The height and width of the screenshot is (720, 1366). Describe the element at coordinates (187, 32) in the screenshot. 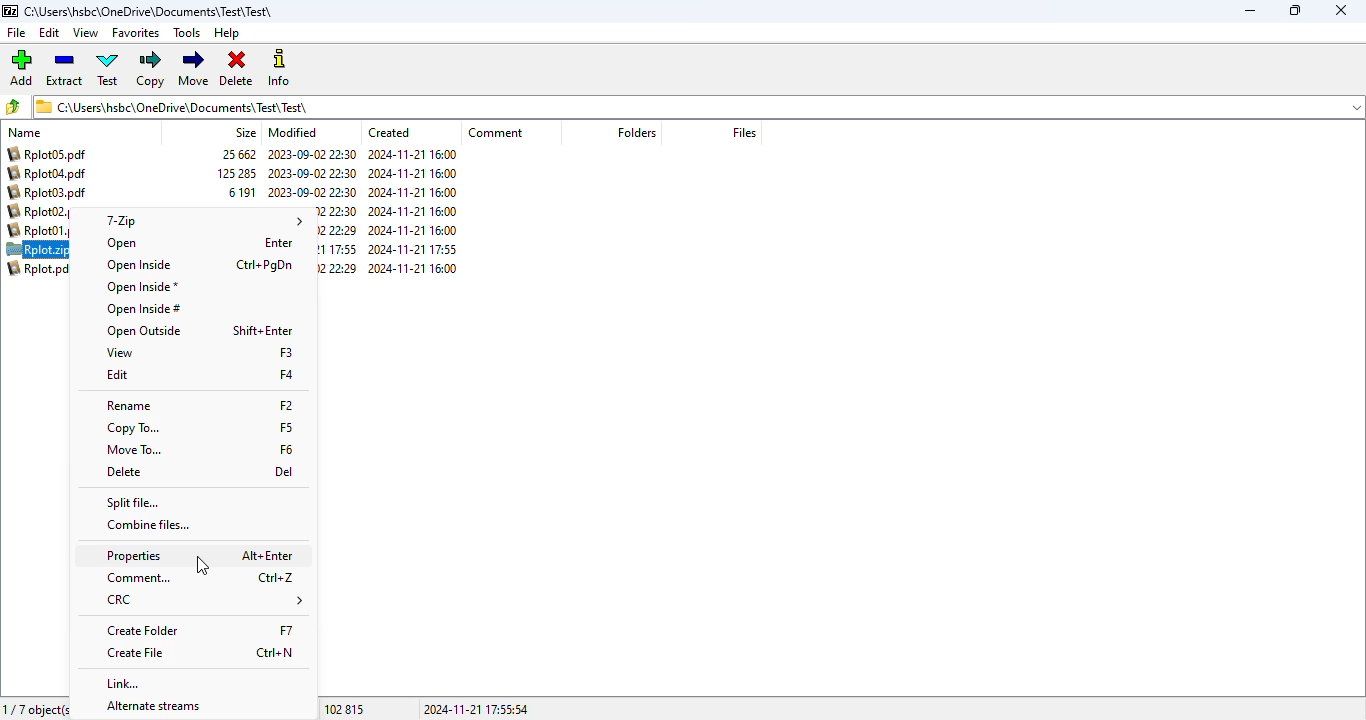

I see `tools` at that location.